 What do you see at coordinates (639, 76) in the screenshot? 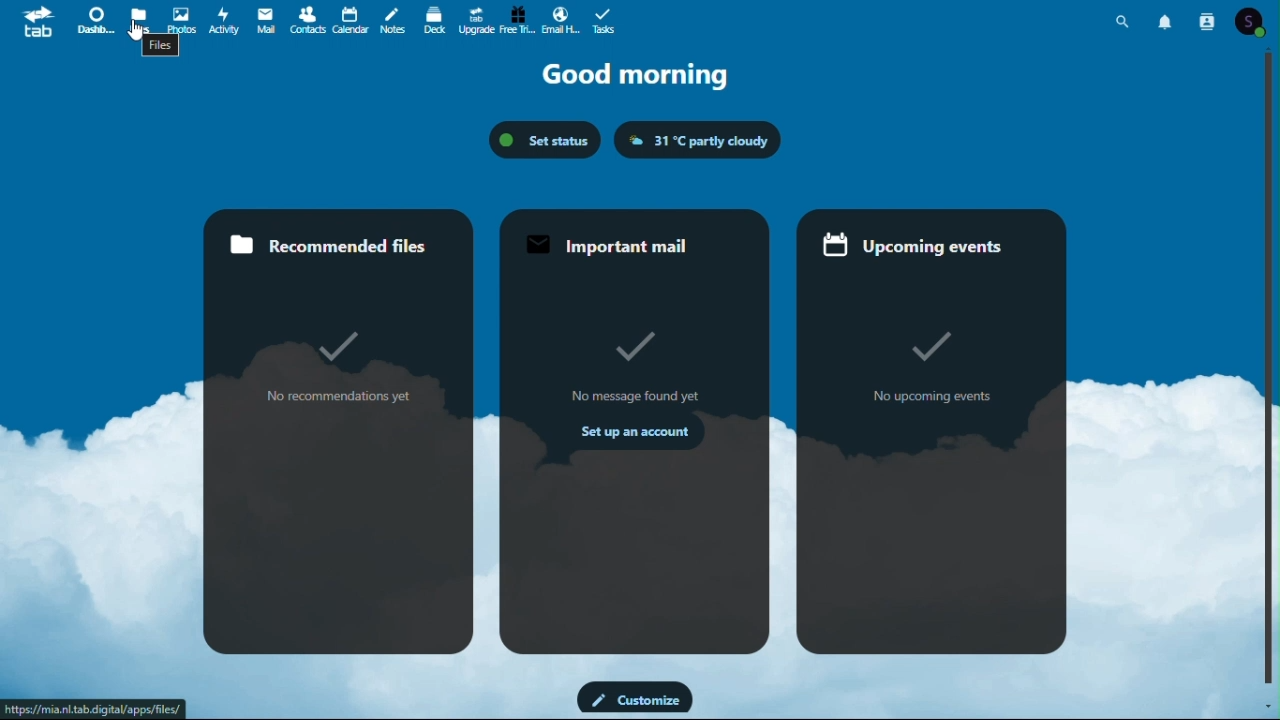
I see `Good morning` at bounding box center [639, 76].